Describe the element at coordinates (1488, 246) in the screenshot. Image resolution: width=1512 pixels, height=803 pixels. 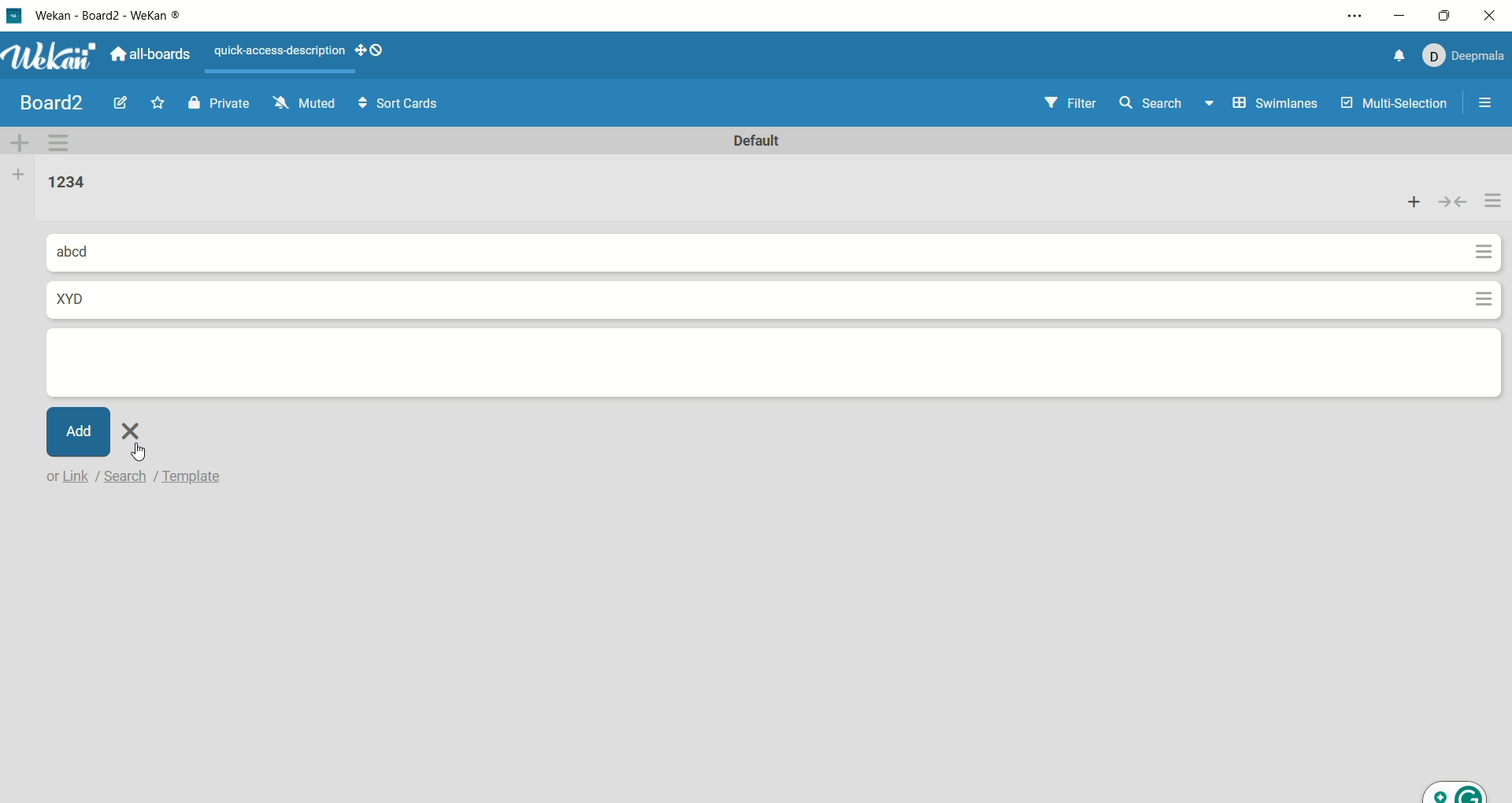
I see `actions` at that location.